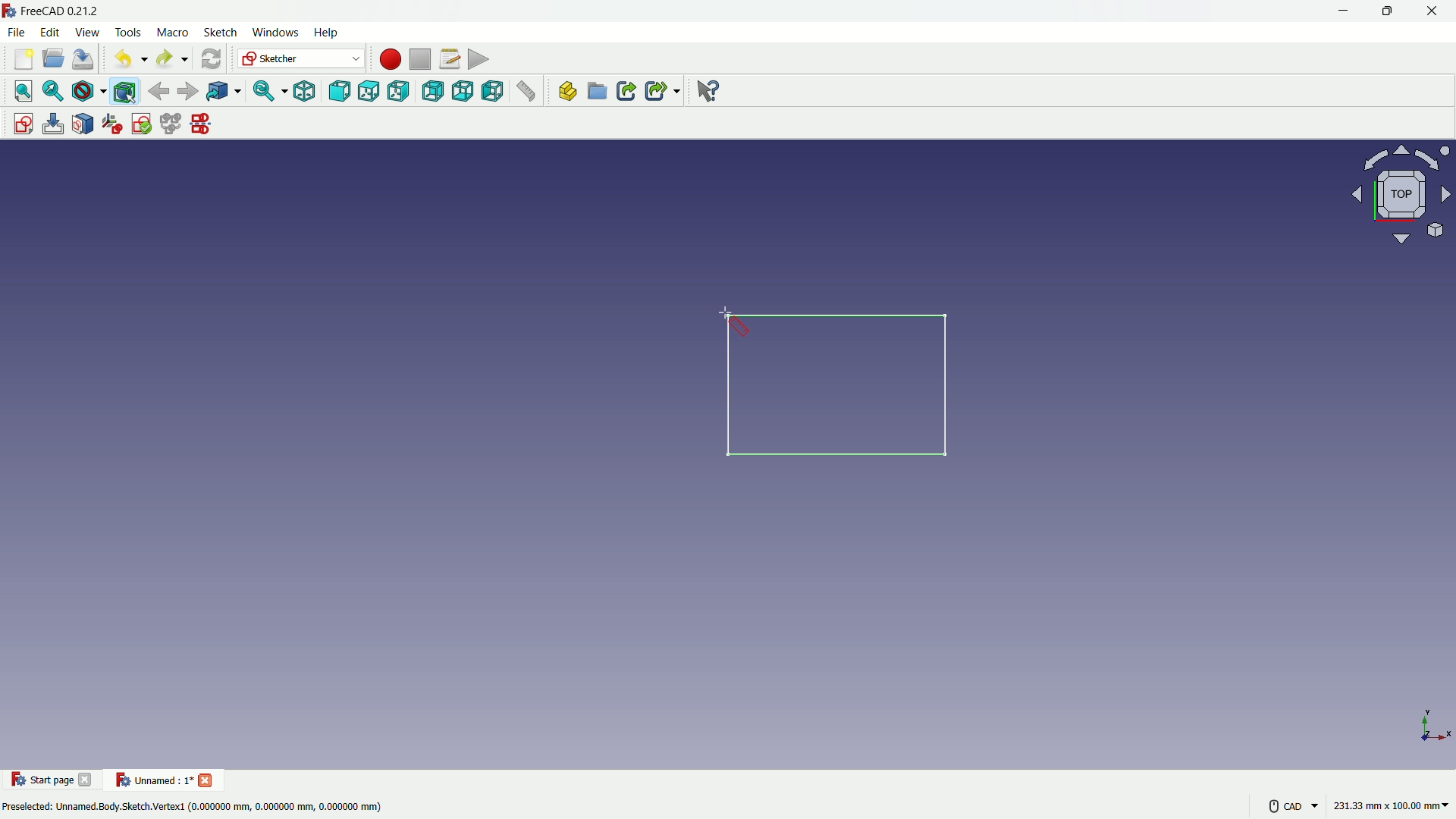 Image resolution: width=1456 pixels, height=819 pixels. What do you see at coordinates (158, 90) in the screenshot?
I see `back` at bounding box center [158, 90].